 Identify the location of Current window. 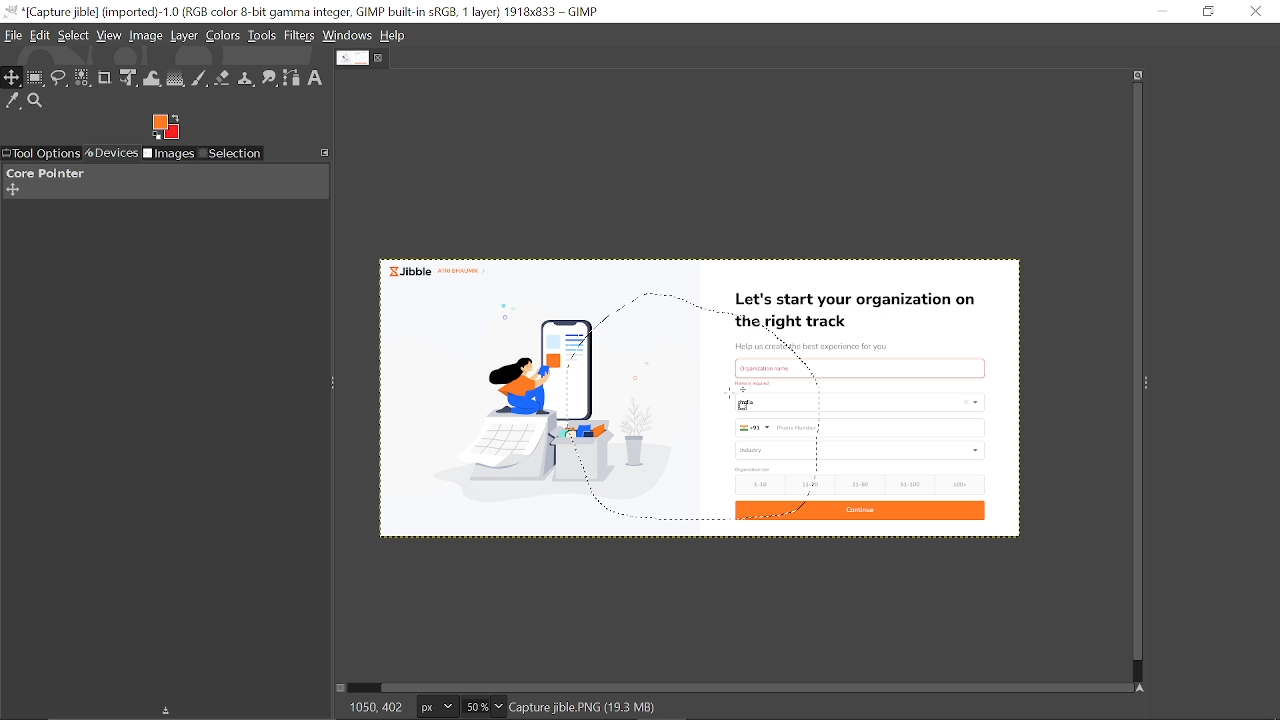
(305, 12).